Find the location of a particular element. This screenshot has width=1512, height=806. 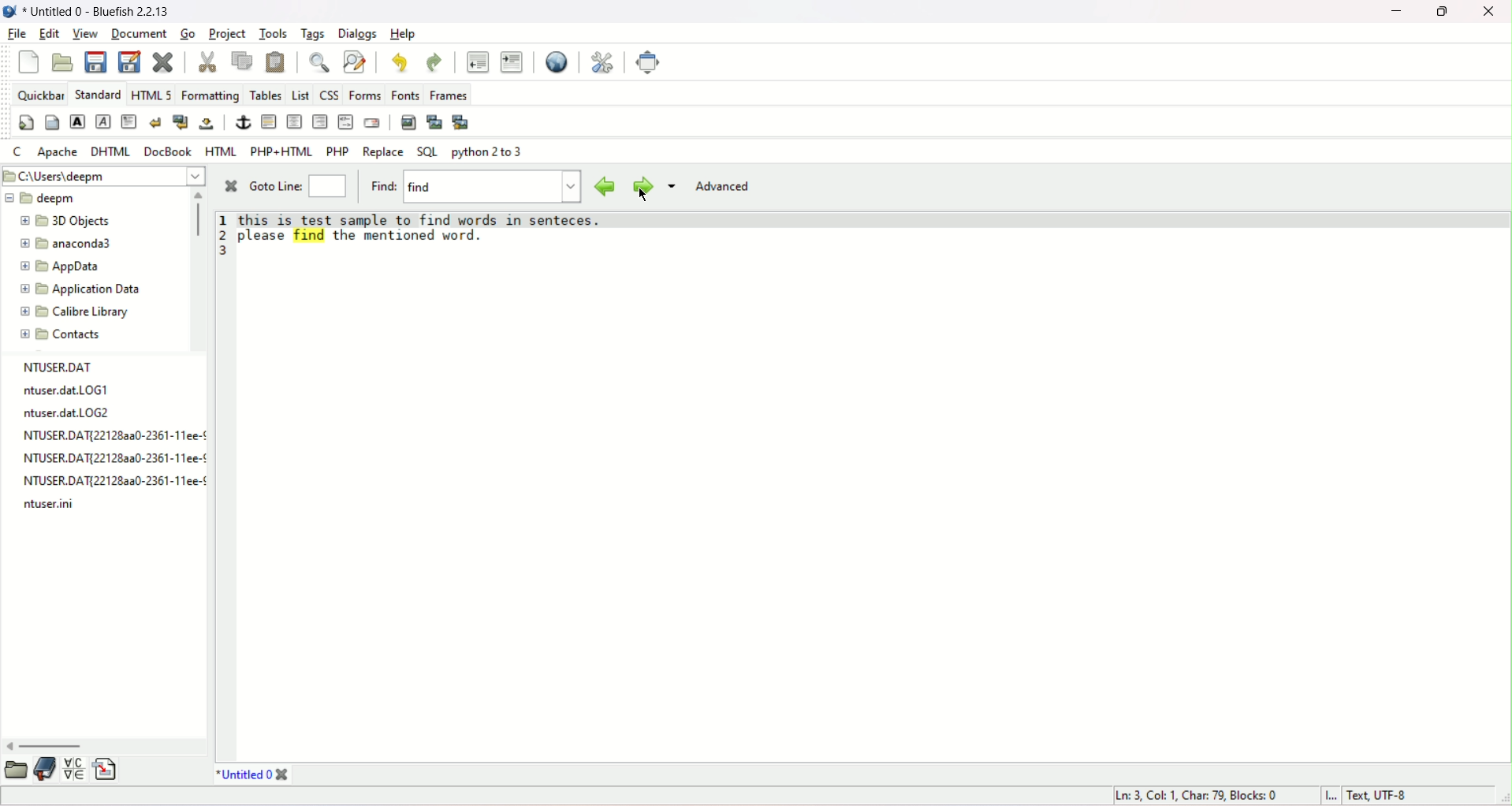

undo is located at coordinates (399, 63).